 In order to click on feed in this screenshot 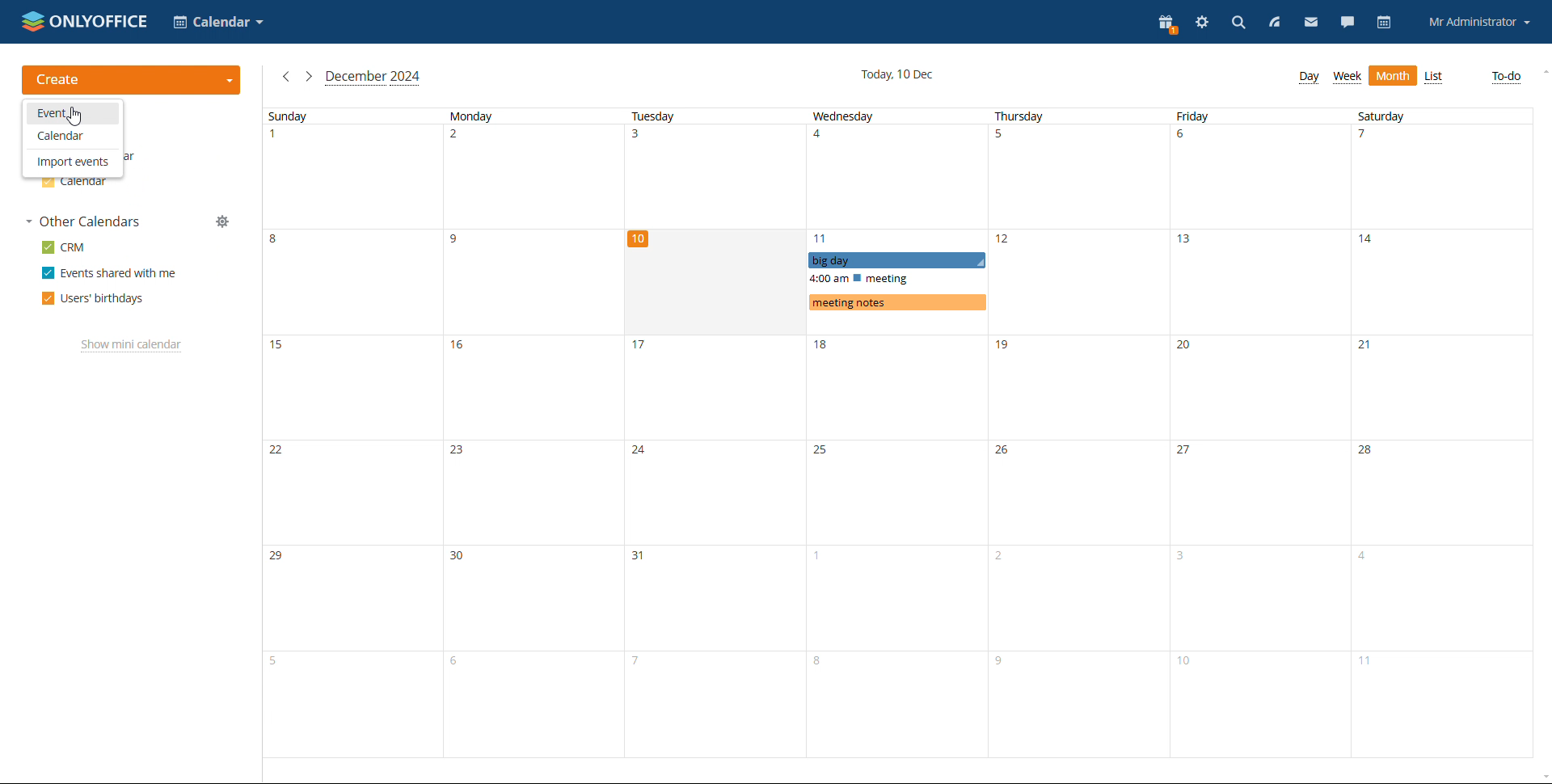, I will do `click(1274, 23)`.